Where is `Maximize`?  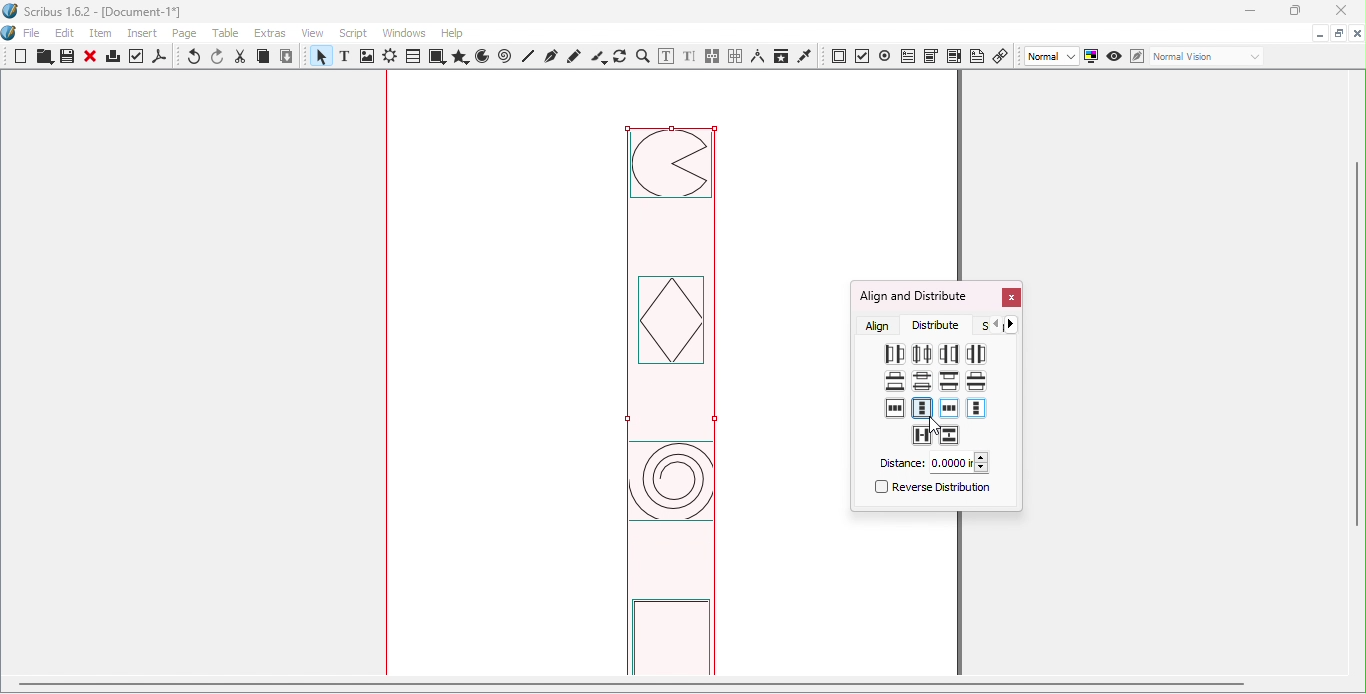
Maximize is located at coordinates (1293, 11).